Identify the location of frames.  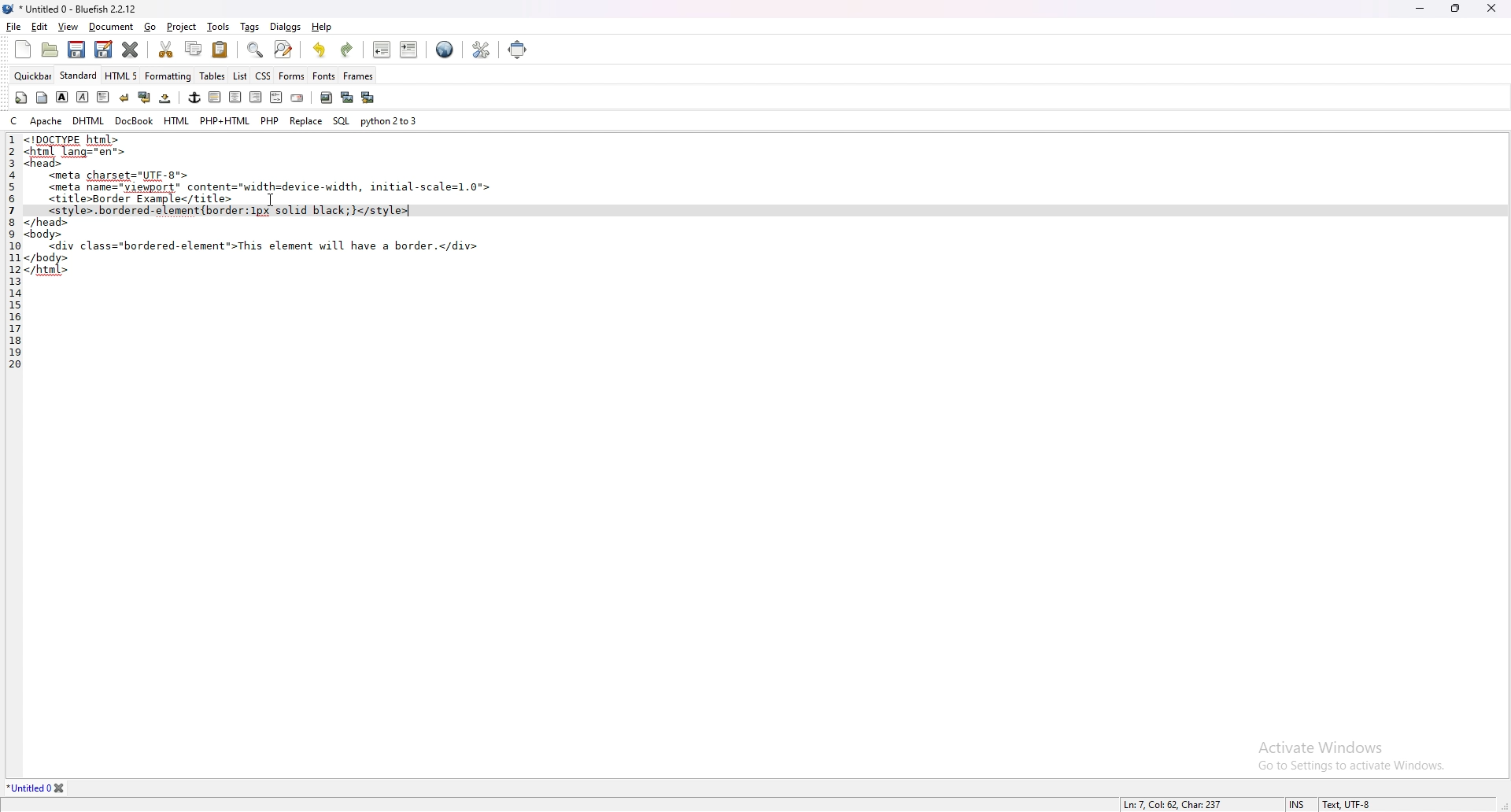
(358, 76).